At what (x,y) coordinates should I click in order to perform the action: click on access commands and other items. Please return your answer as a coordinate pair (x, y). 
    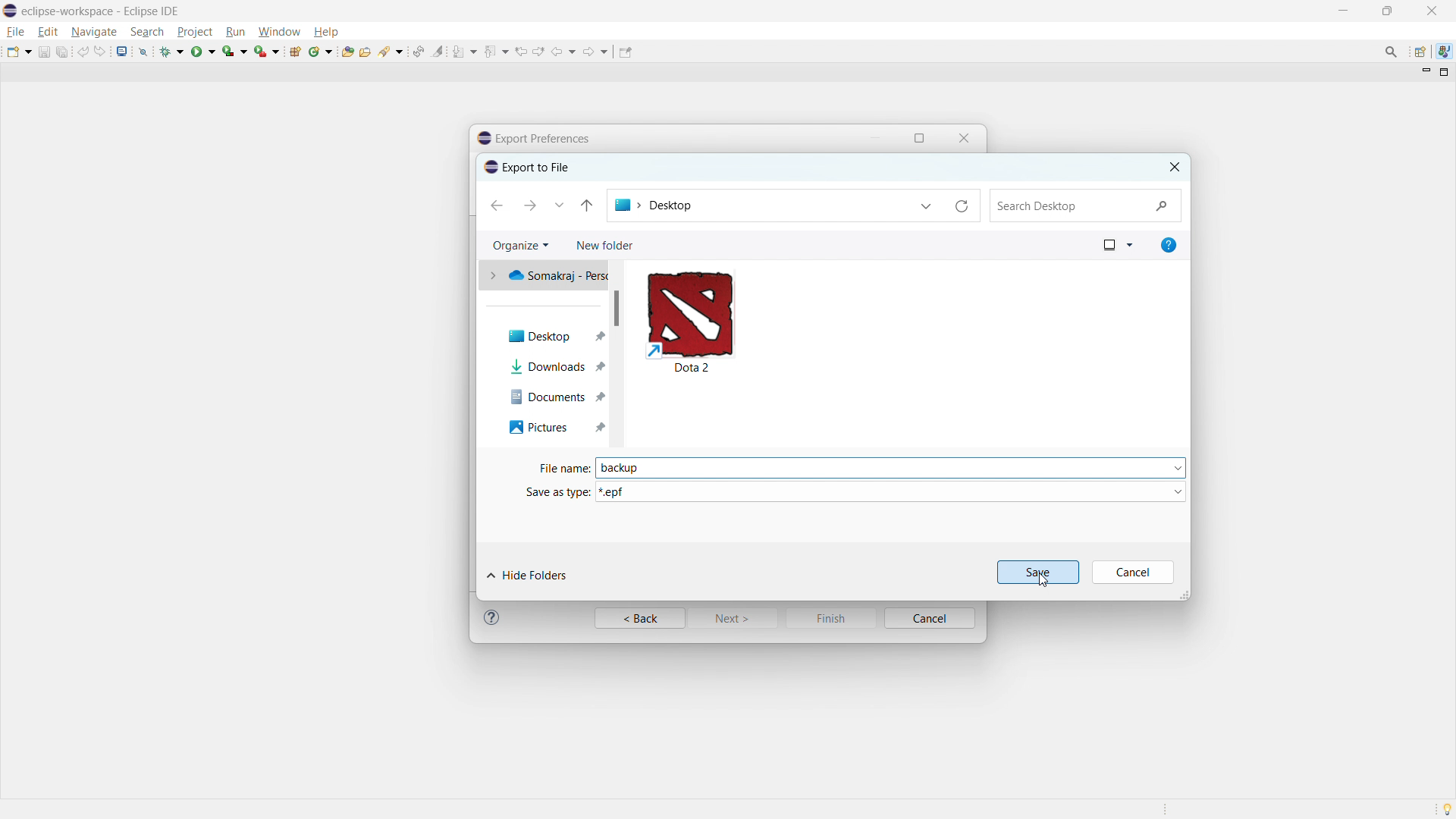
    Looking at the image, I should click on (1392, 51).